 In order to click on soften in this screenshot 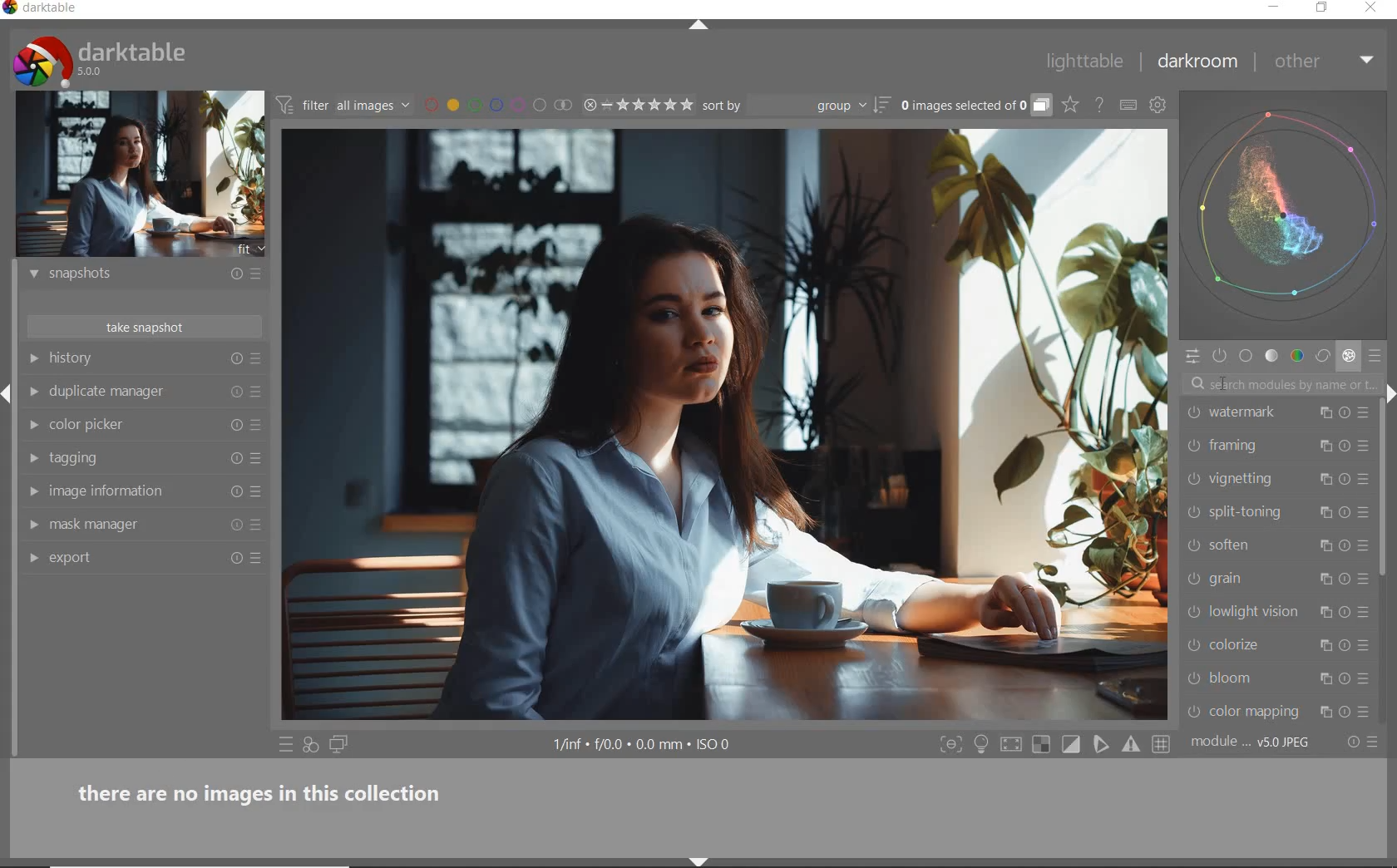, I will do `click(1258, 545)`.